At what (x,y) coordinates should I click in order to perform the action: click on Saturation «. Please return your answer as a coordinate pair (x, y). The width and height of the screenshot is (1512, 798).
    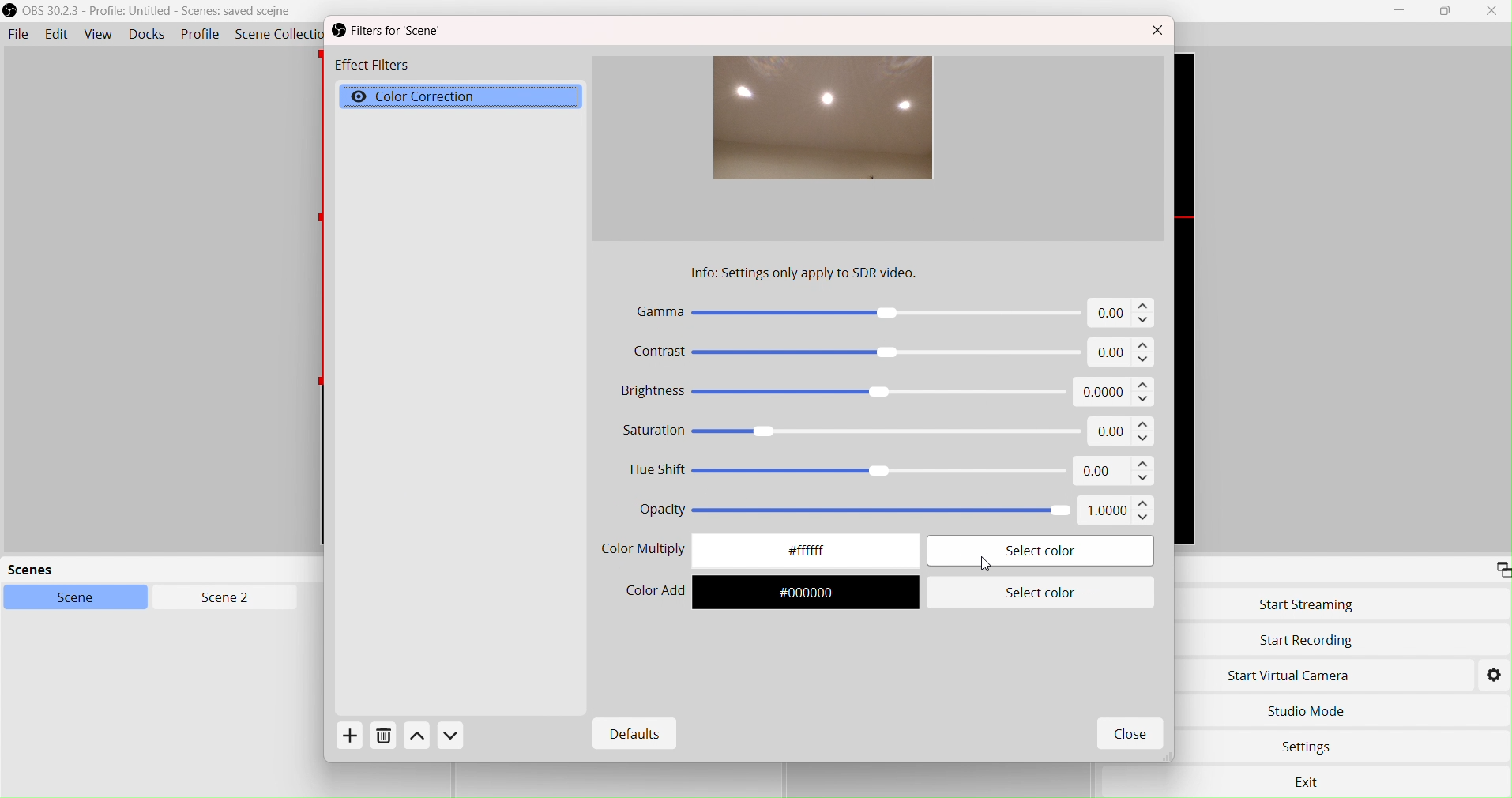
    Looking at the image, I should click on (852, 429).